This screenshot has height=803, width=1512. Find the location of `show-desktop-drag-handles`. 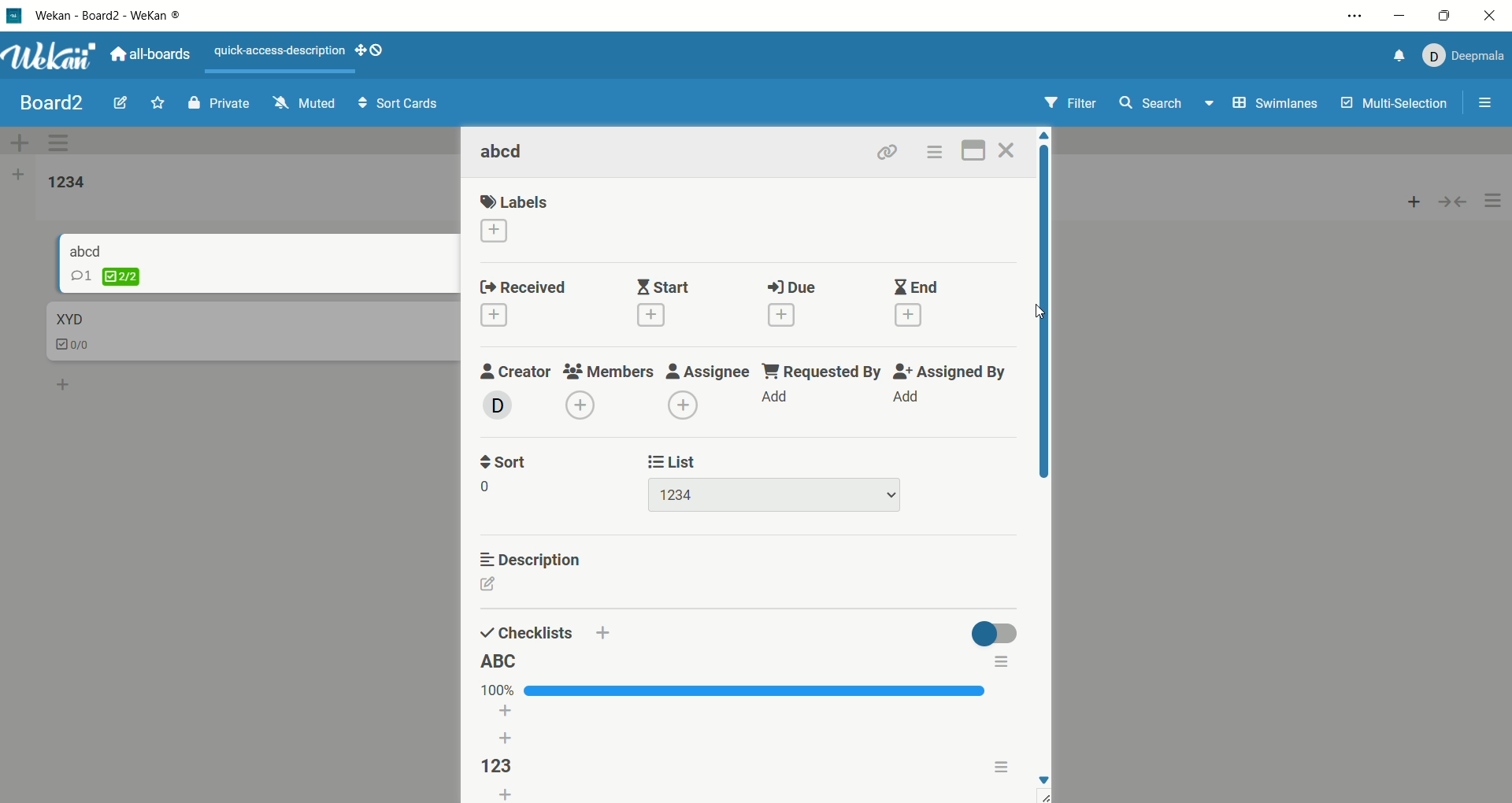

show-desktop-drag-handles is located at coordinates (374, 53).